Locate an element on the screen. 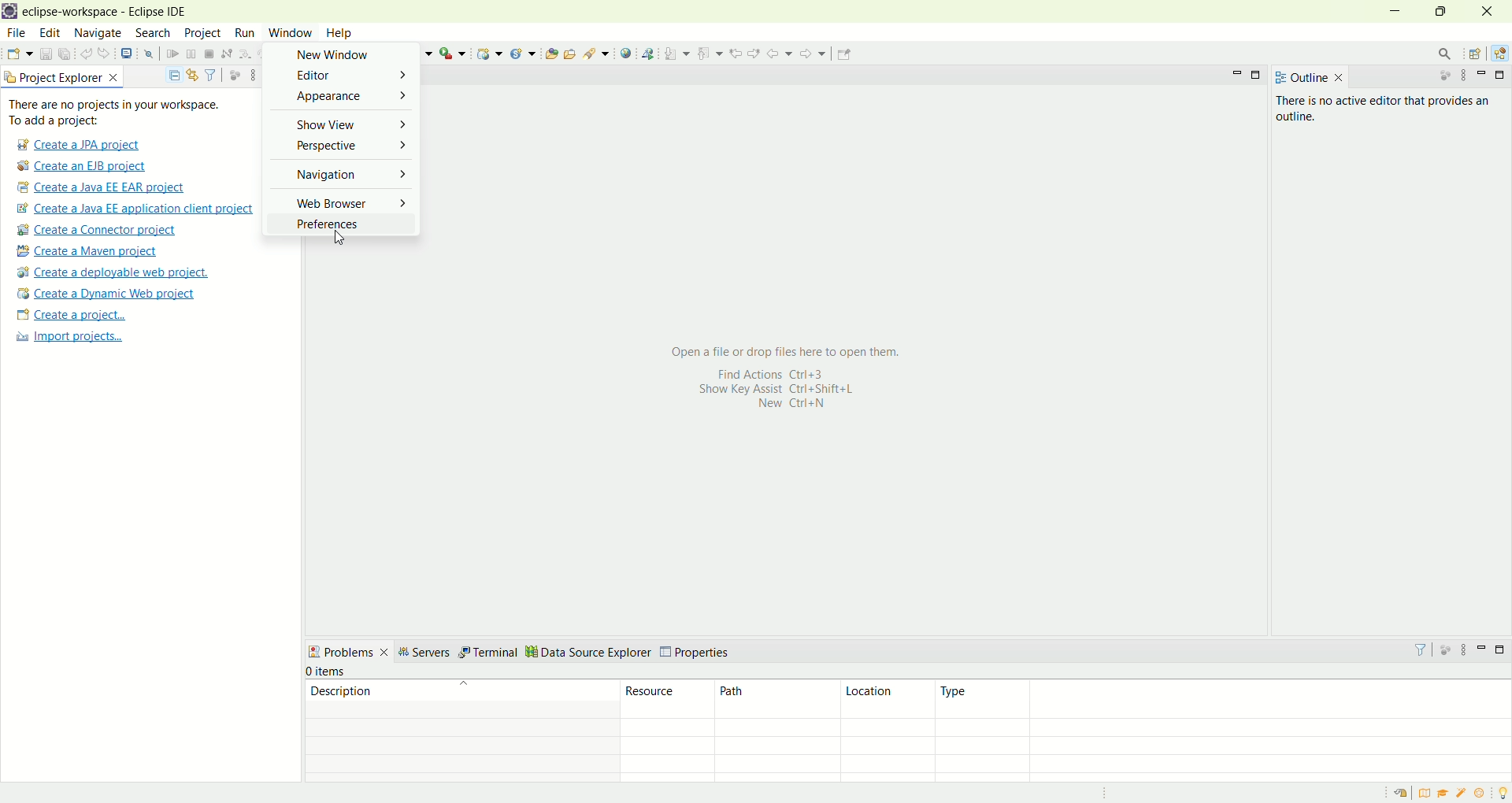  open task is located at coordinates (569, 52).